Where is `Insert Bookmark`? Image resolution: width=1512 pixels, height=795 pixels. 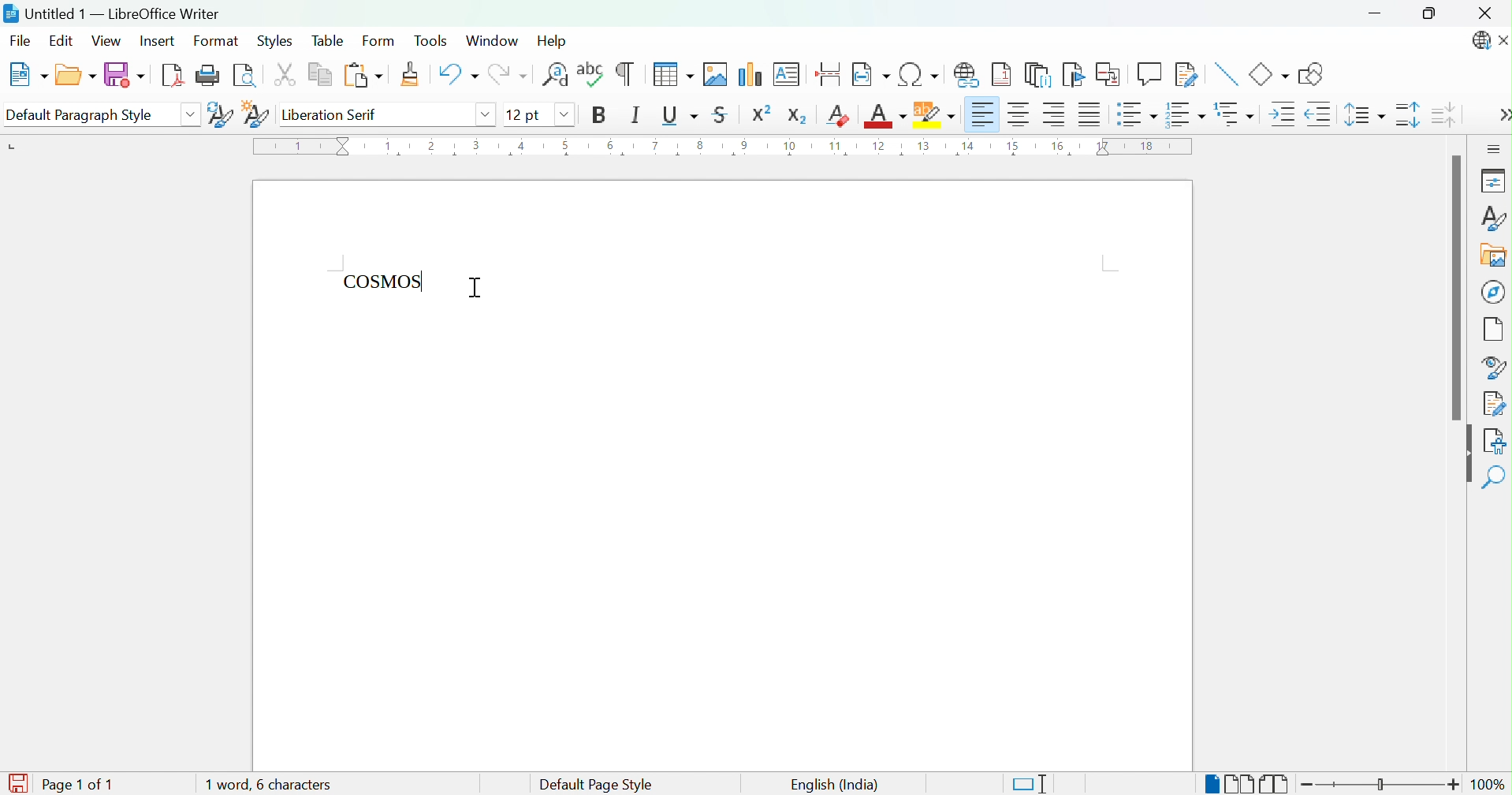 Insert Bookmark is located at coordinates (1074, 75).